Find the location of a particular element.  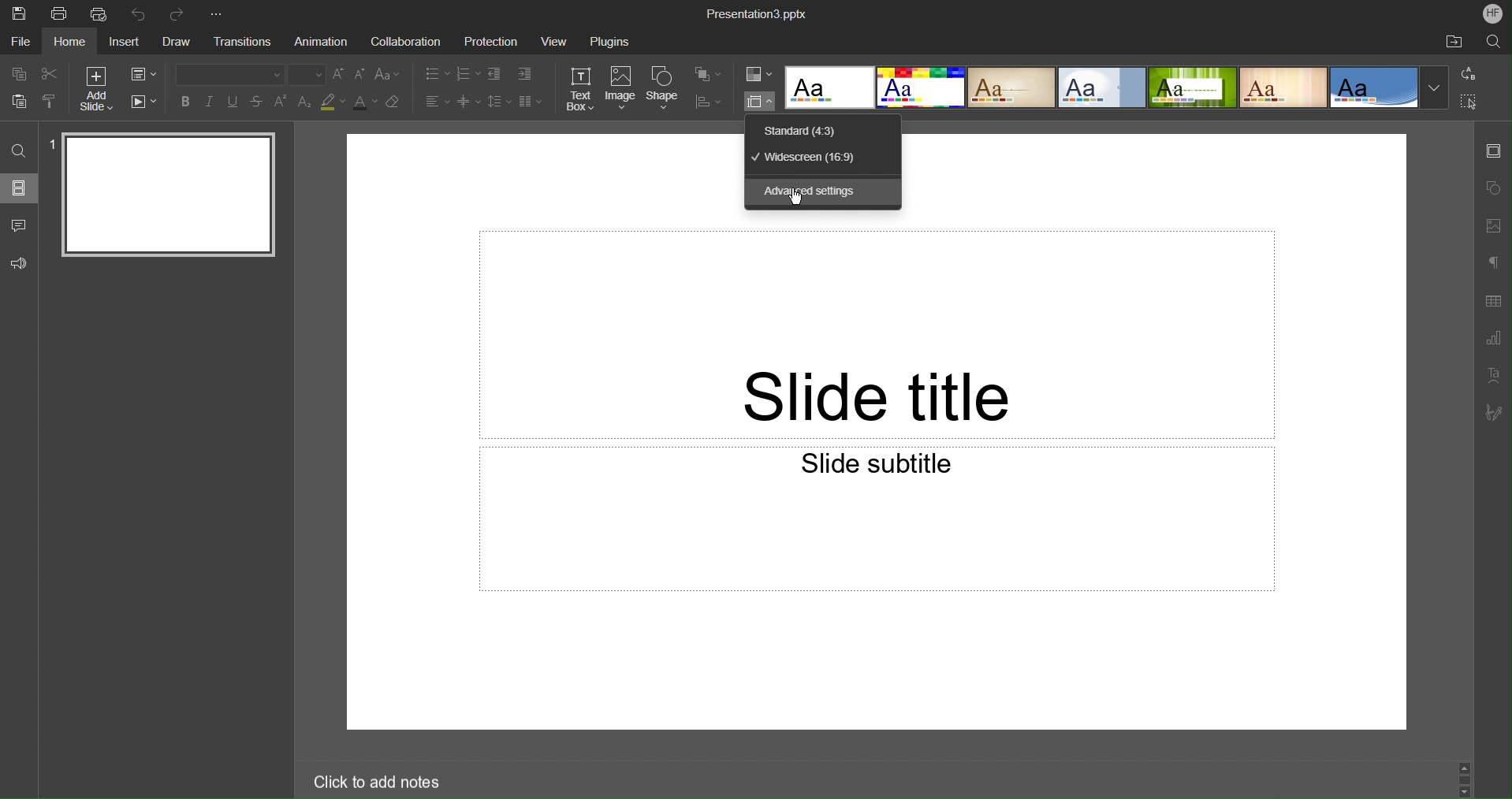

Text Color is located at coordinates (365, 104).